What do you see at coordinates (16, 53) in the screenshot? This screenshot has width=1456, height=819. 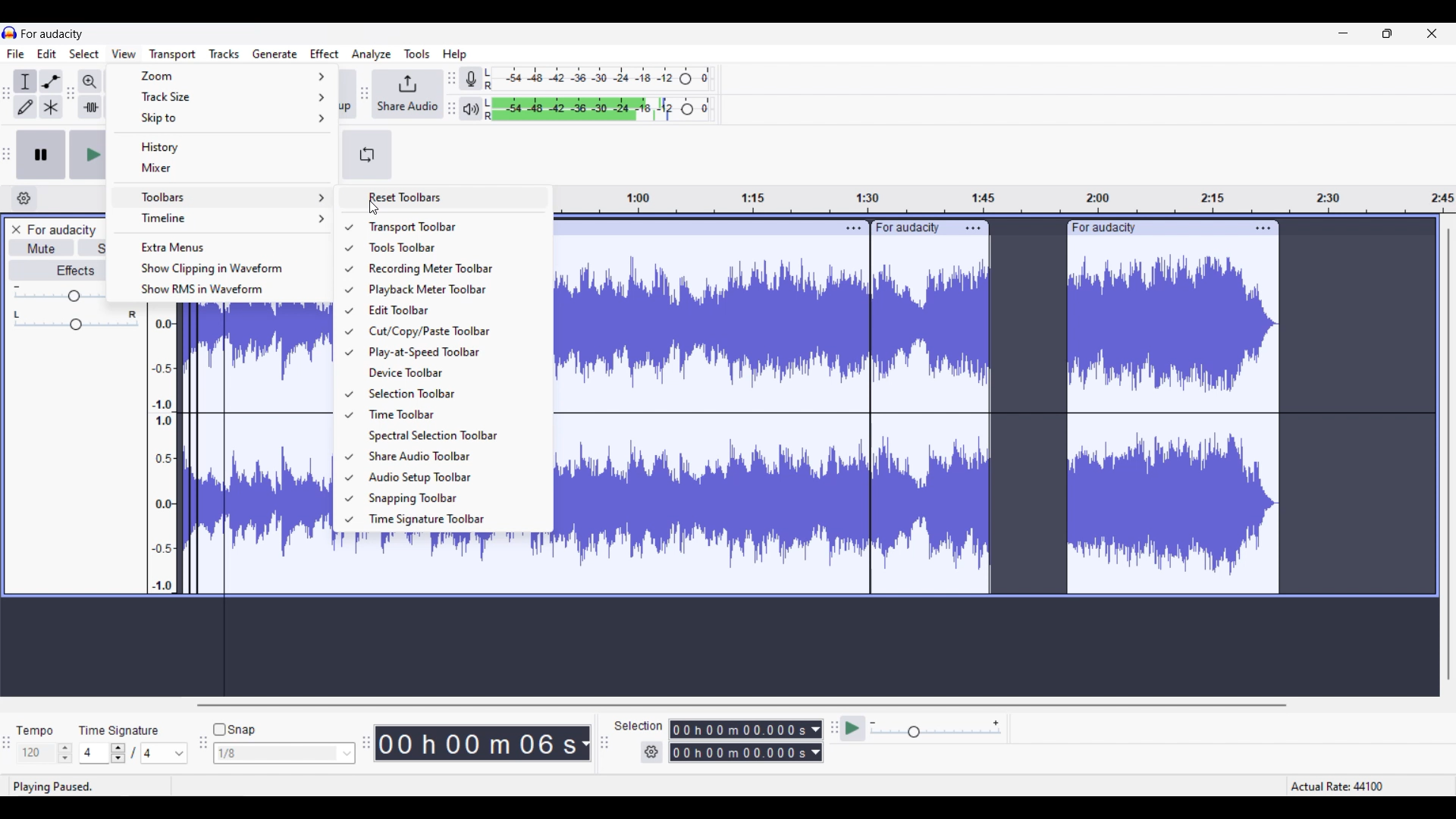 I see `File menu` at bounding box center [16, 53].